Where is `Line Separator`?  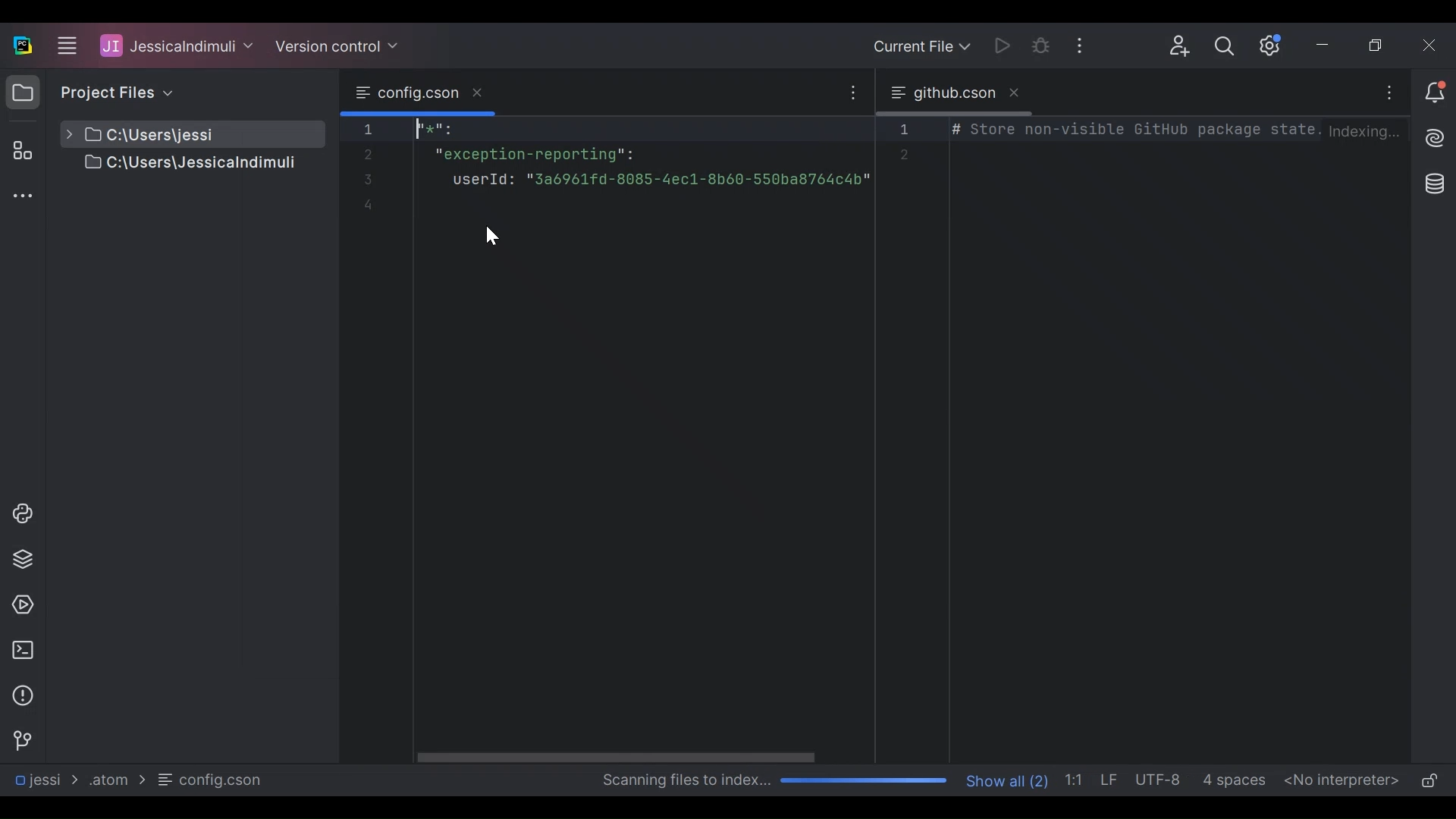 Line Separator is located at coordinates (1111, 780).